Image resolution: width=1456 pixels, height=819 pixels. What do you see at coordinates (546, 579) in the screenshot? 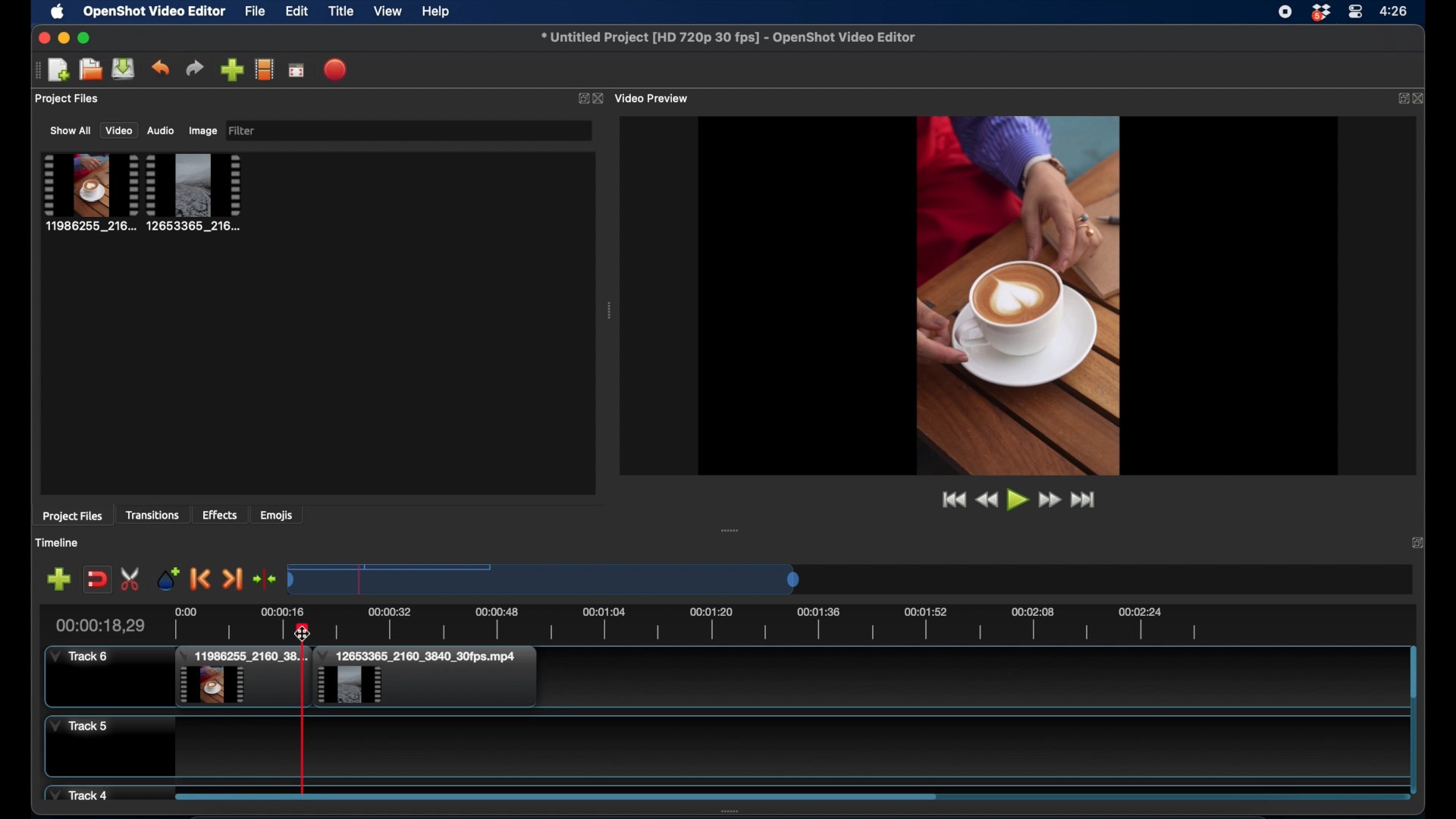
I see `timeline scale` at bounding box center [546, 579].